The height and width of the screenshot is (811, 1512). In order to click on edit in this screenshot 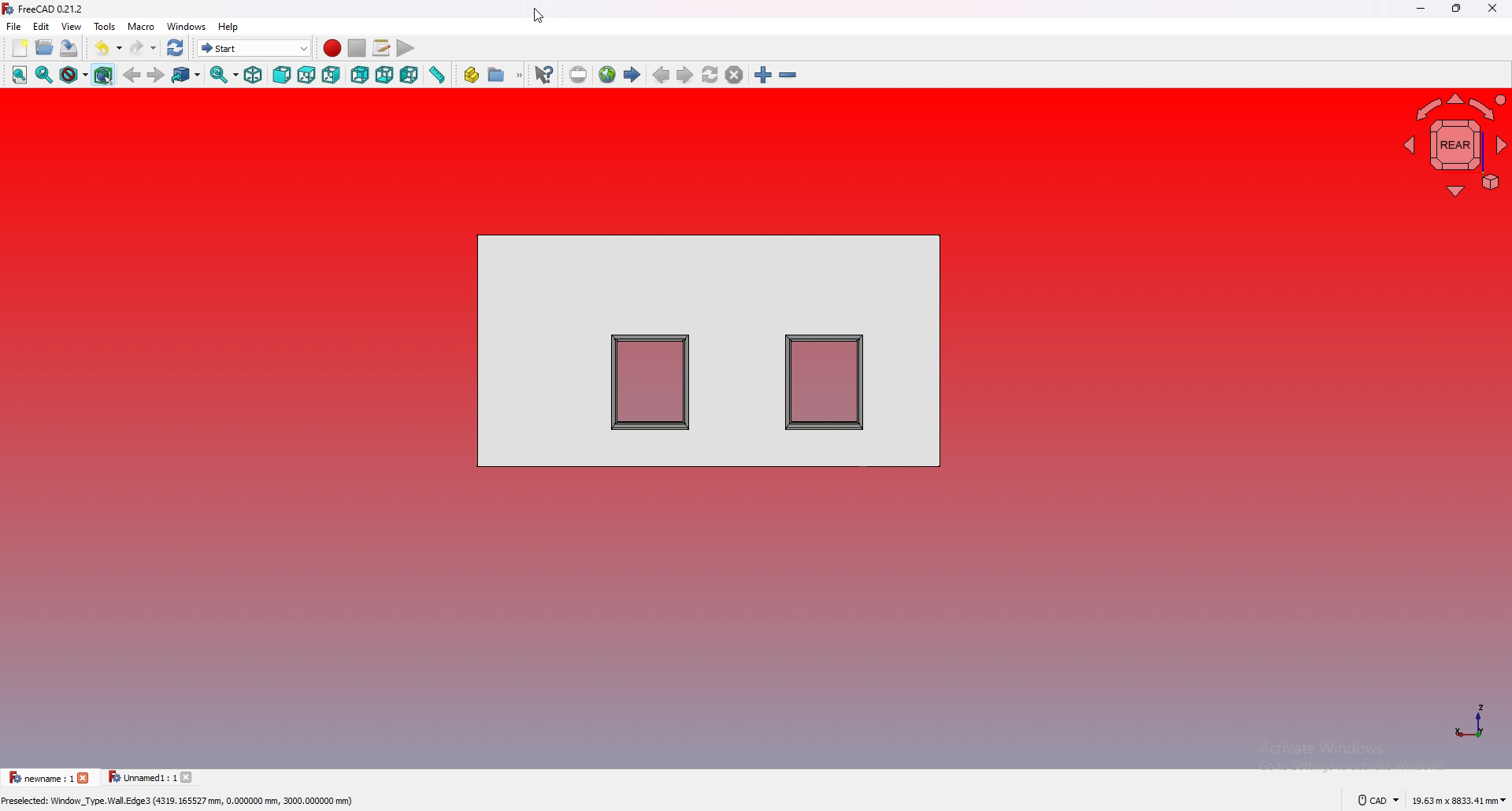, I will do `click(43, 26)`.